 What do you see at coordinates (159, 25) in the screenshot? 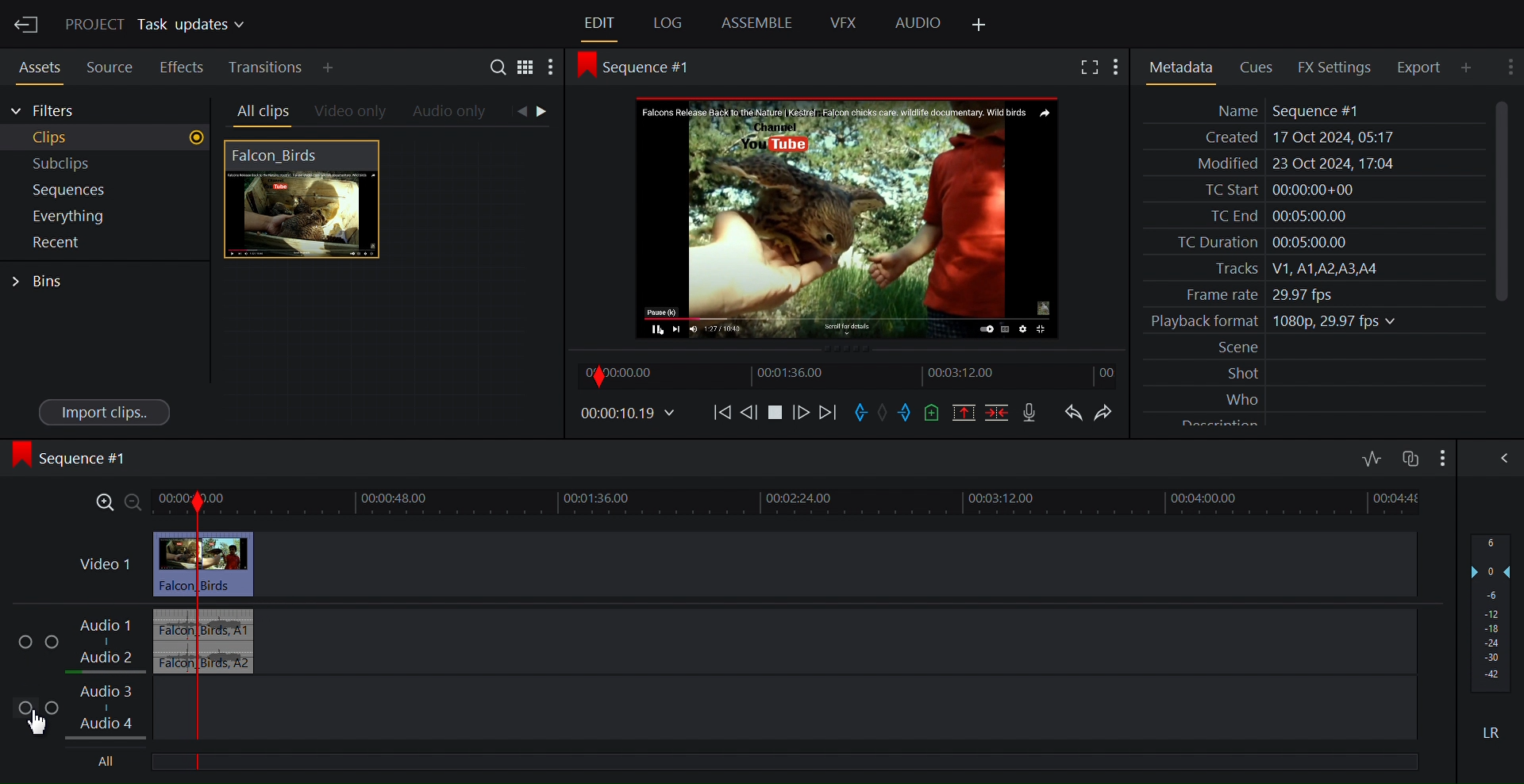
I see `Show/Change project details` at bounding box center [159, 25].